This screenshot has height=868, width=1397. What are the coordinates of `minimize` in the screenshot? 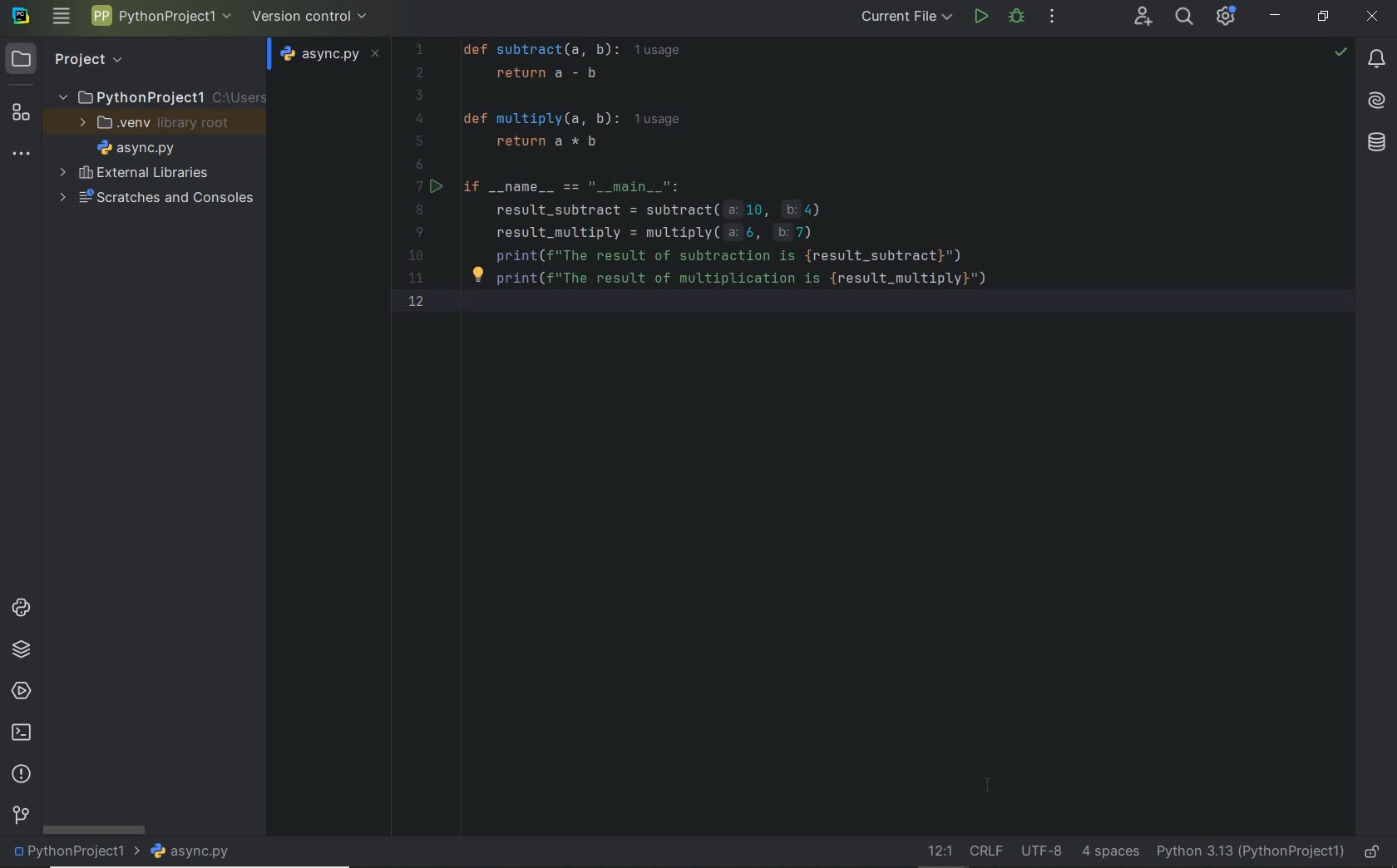 It's located at (1276, 15).